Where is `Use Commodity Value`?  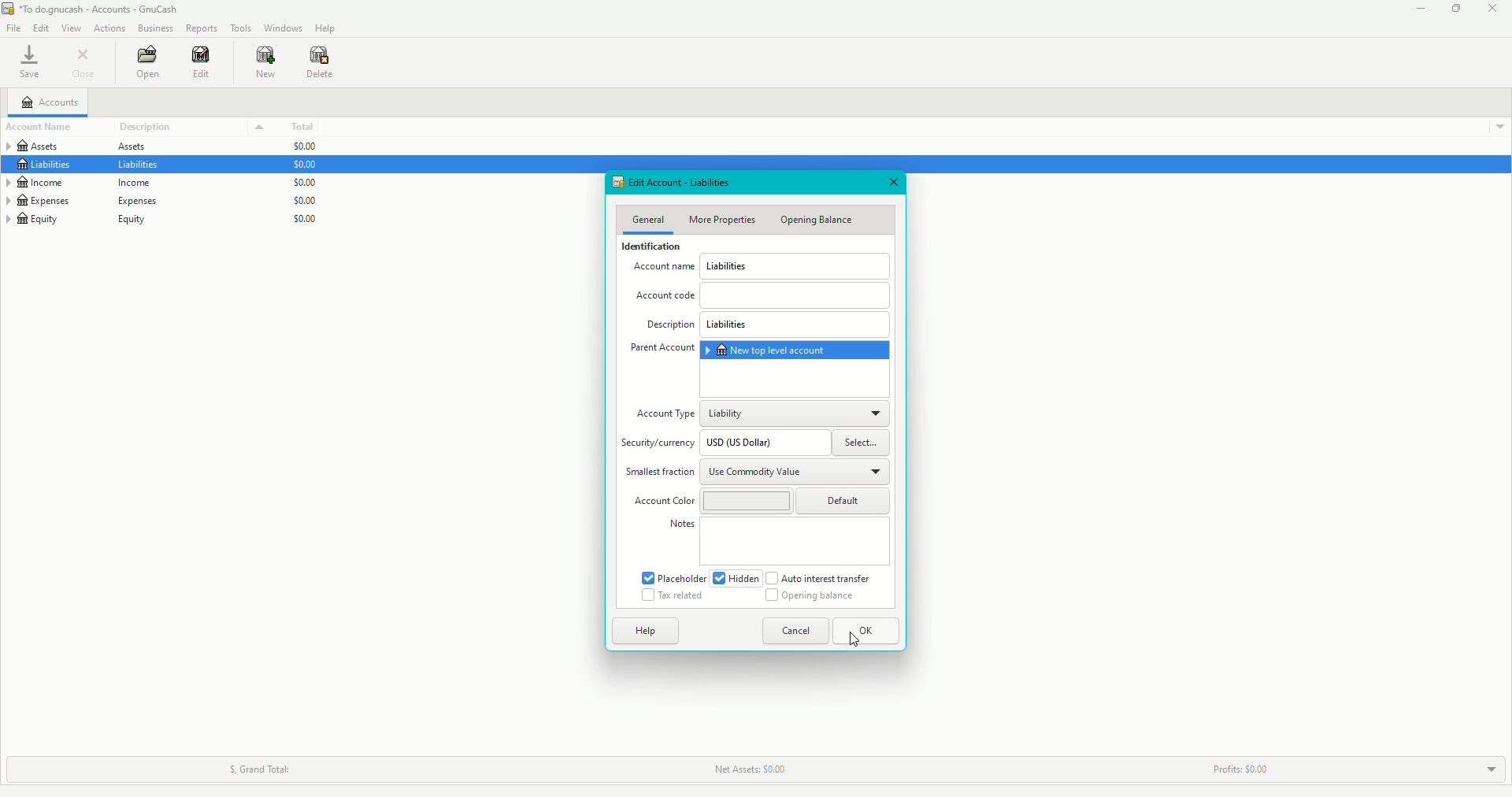
Use Commodity Value is located at coordinates (799, 473).